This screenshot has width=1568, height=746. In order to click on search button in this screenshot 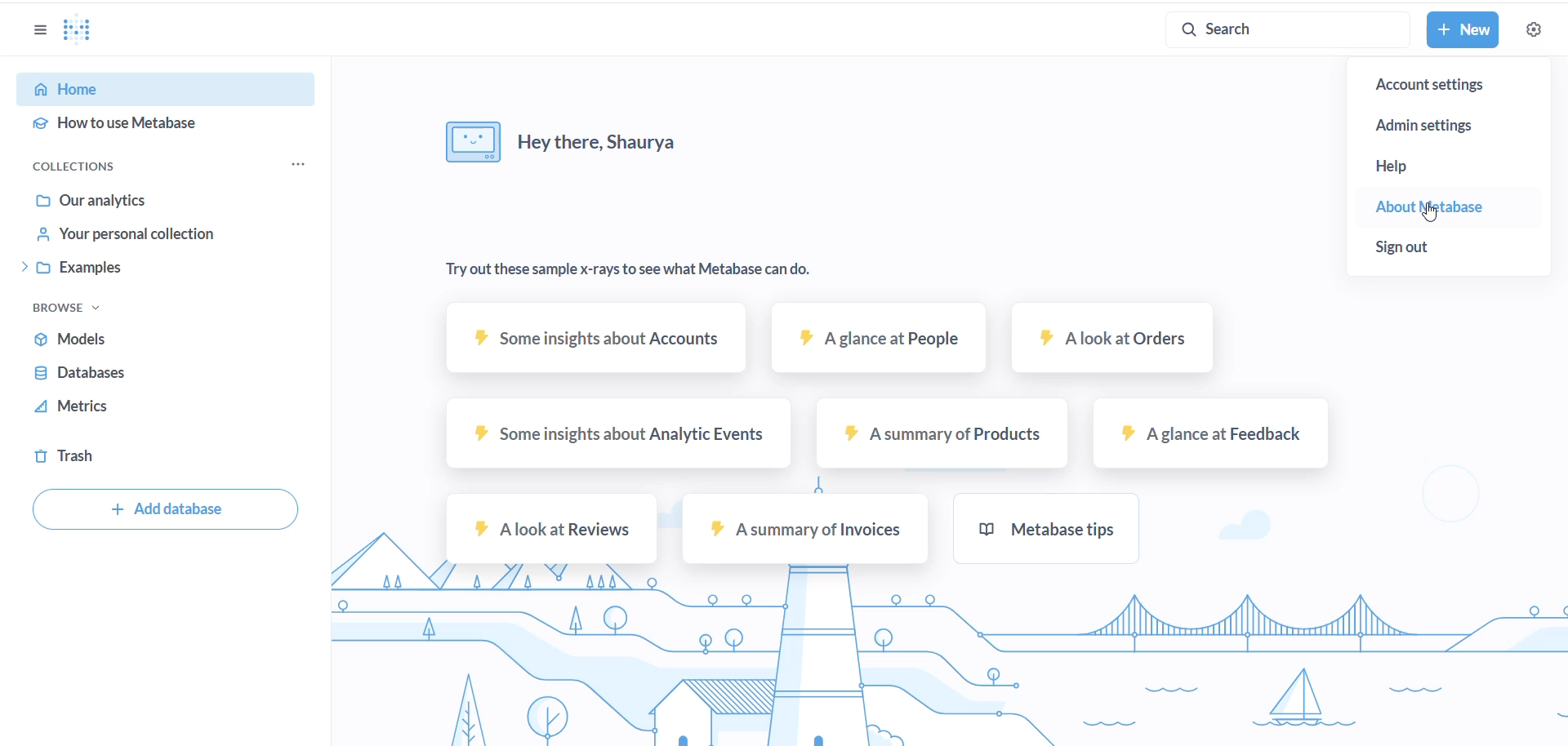, I will do `click(1278, 28)`.